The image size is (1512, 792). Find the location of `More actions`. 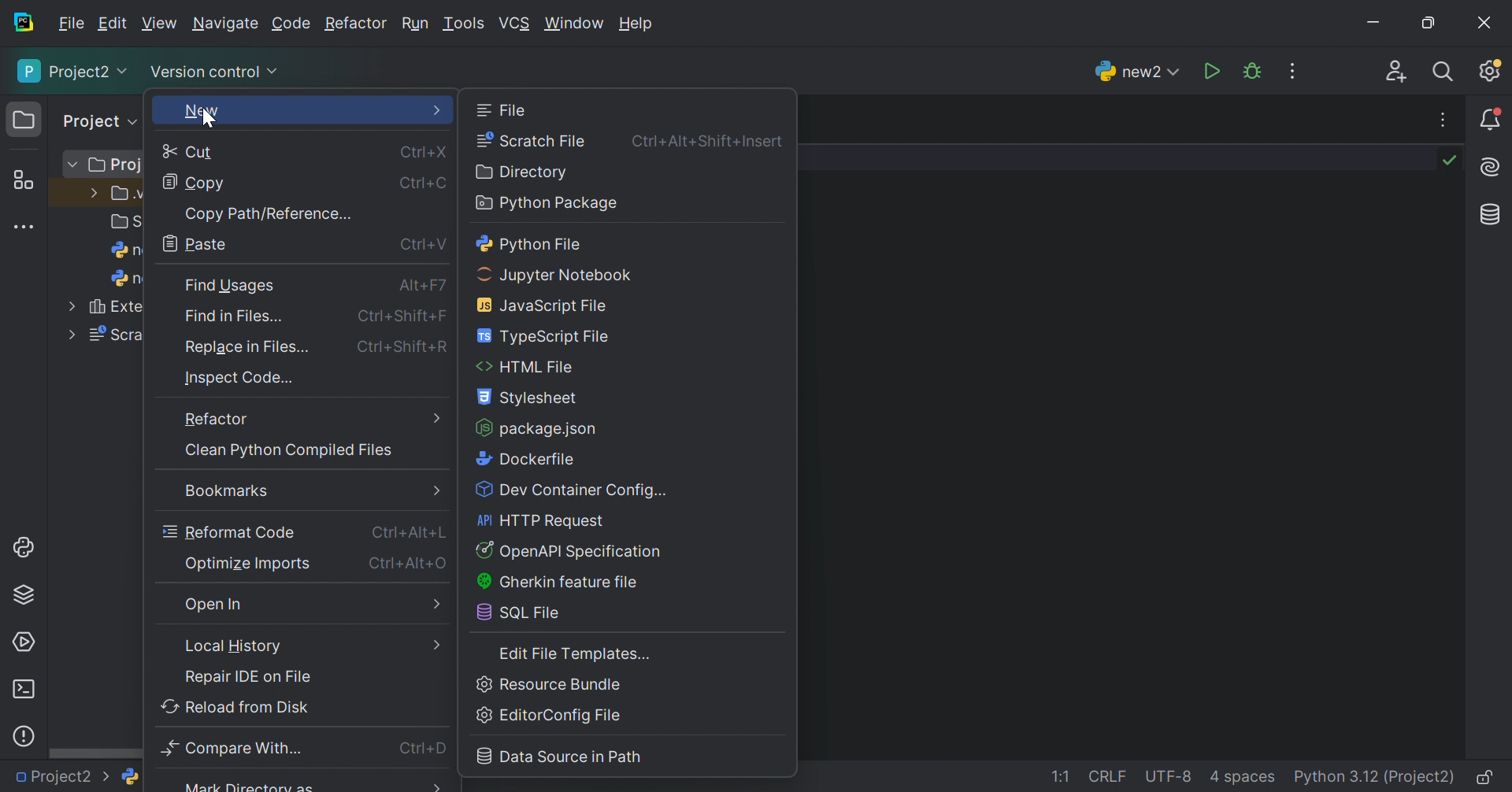

More actions is located at coordinates (1446, 120).